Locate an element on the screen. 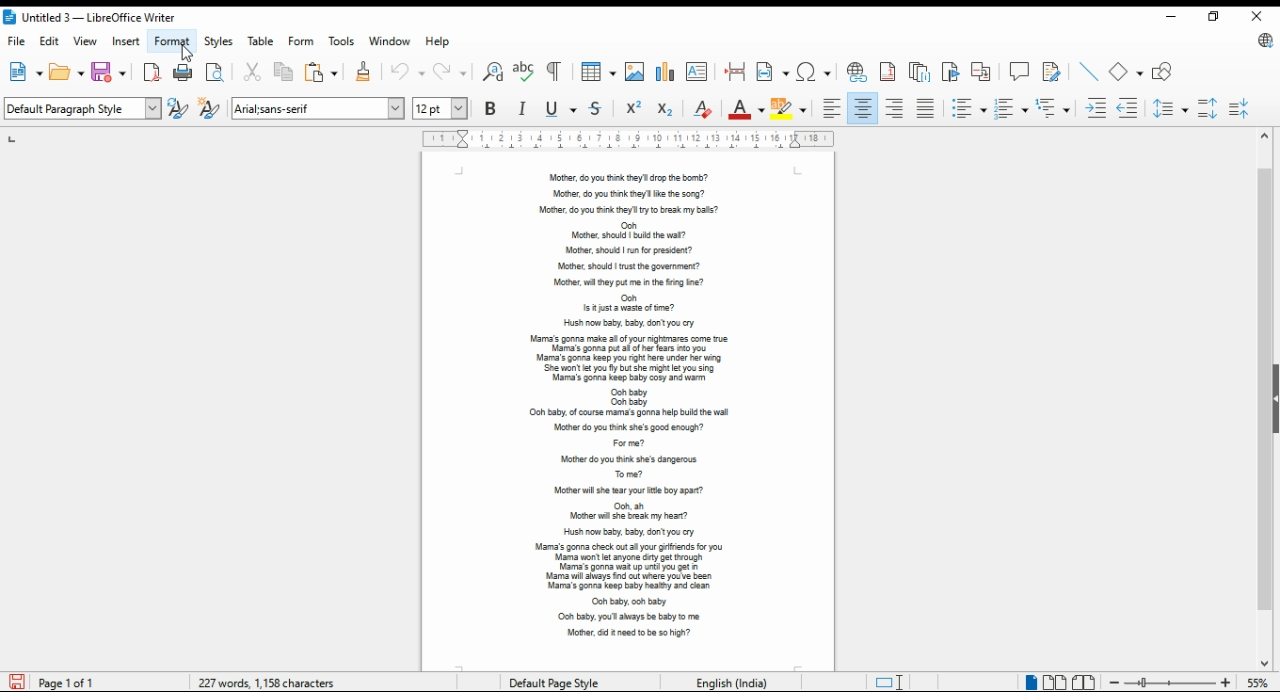  insert field is located at coordinates (773, 72).